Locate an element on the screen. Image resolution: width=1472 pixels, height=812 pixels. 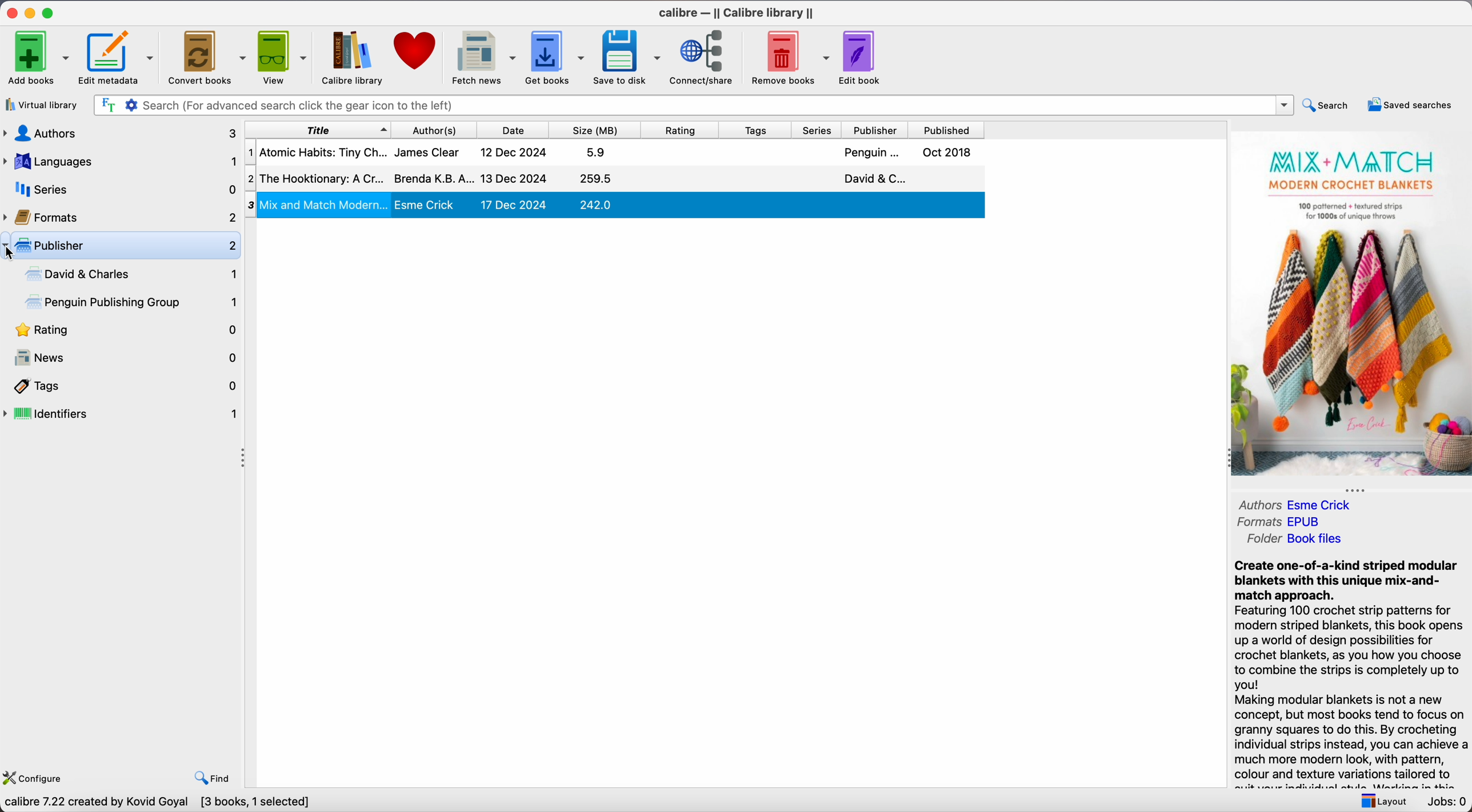
layout is located at coordinates (1381, 800).